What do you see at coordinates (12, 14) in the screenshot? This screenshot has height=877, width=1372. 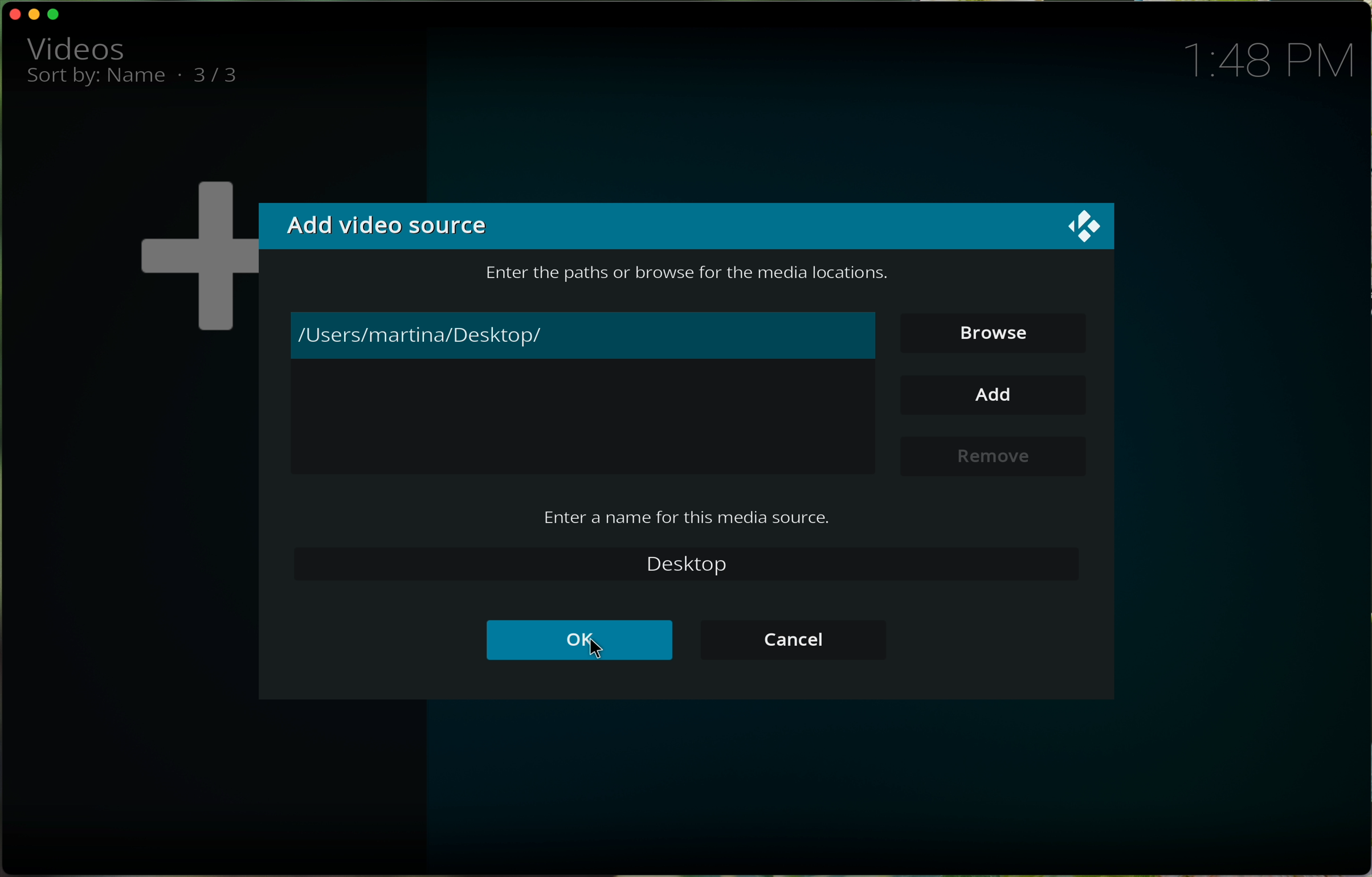 I see `close` at bounding box center [12, 14].